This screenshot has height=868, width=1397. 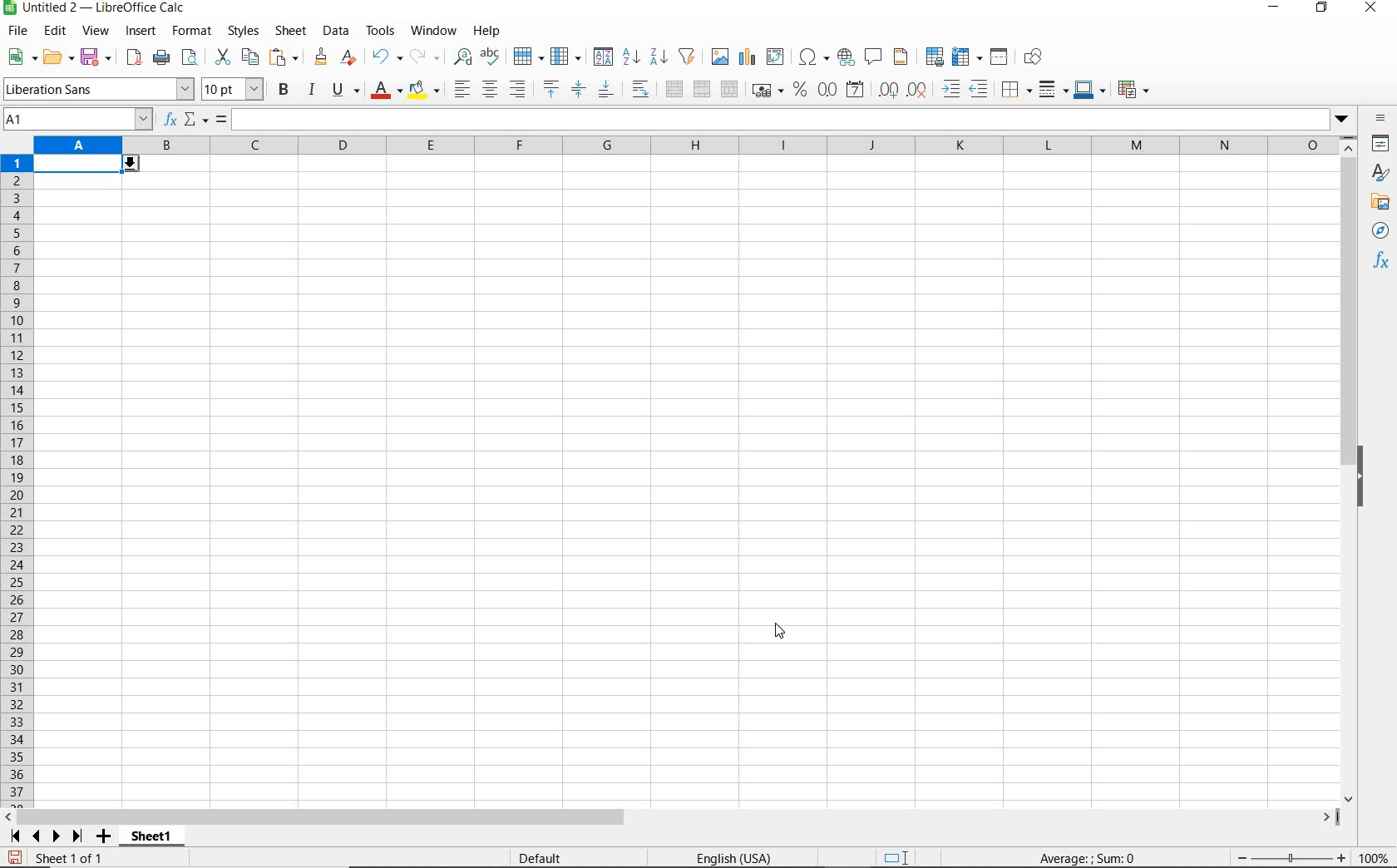 I want to click on merge and center or unmerge cells, so click(x=674, y=90).